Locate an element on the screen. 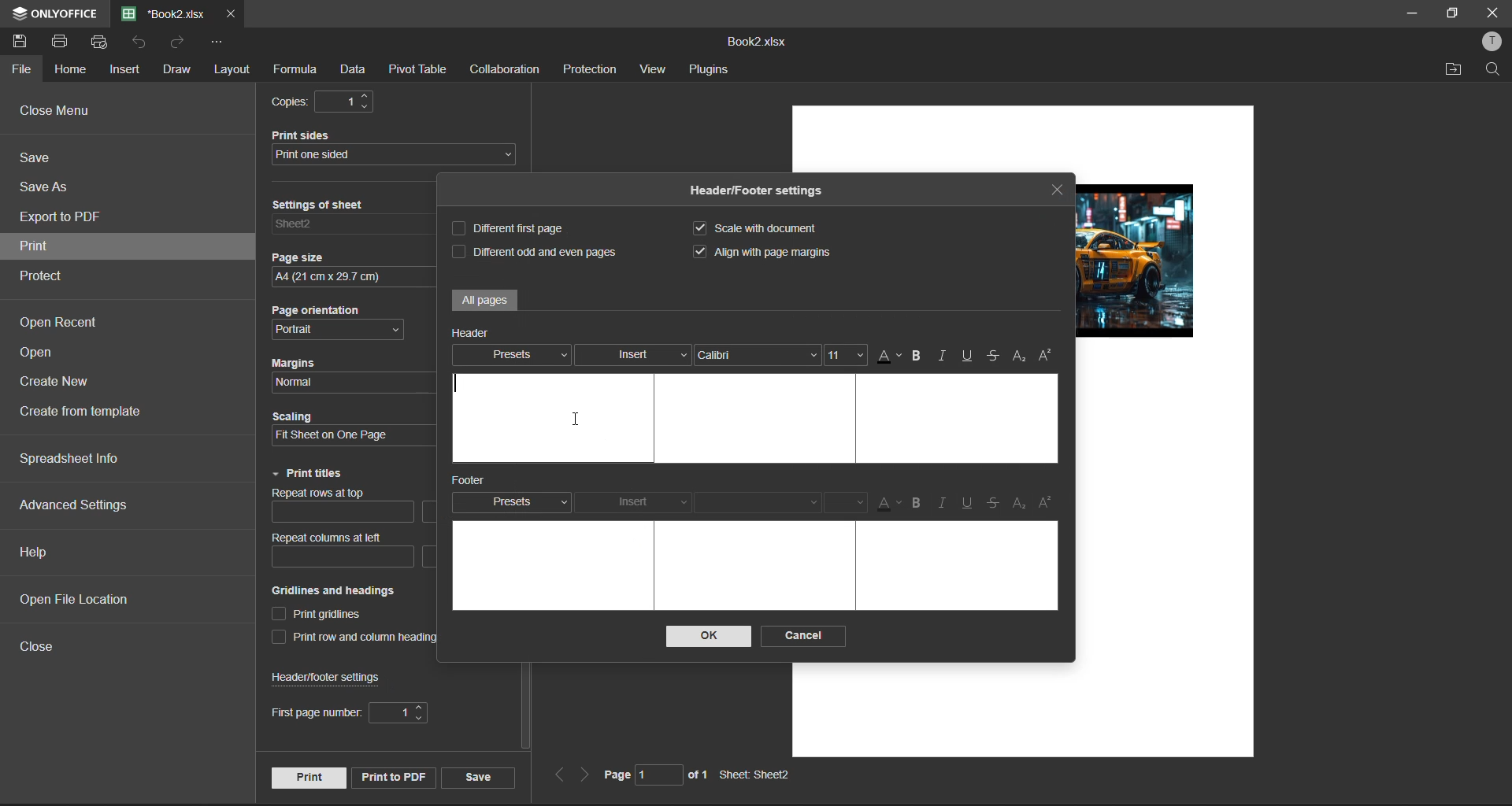  align with page margins is located at coordinates (773, 252).